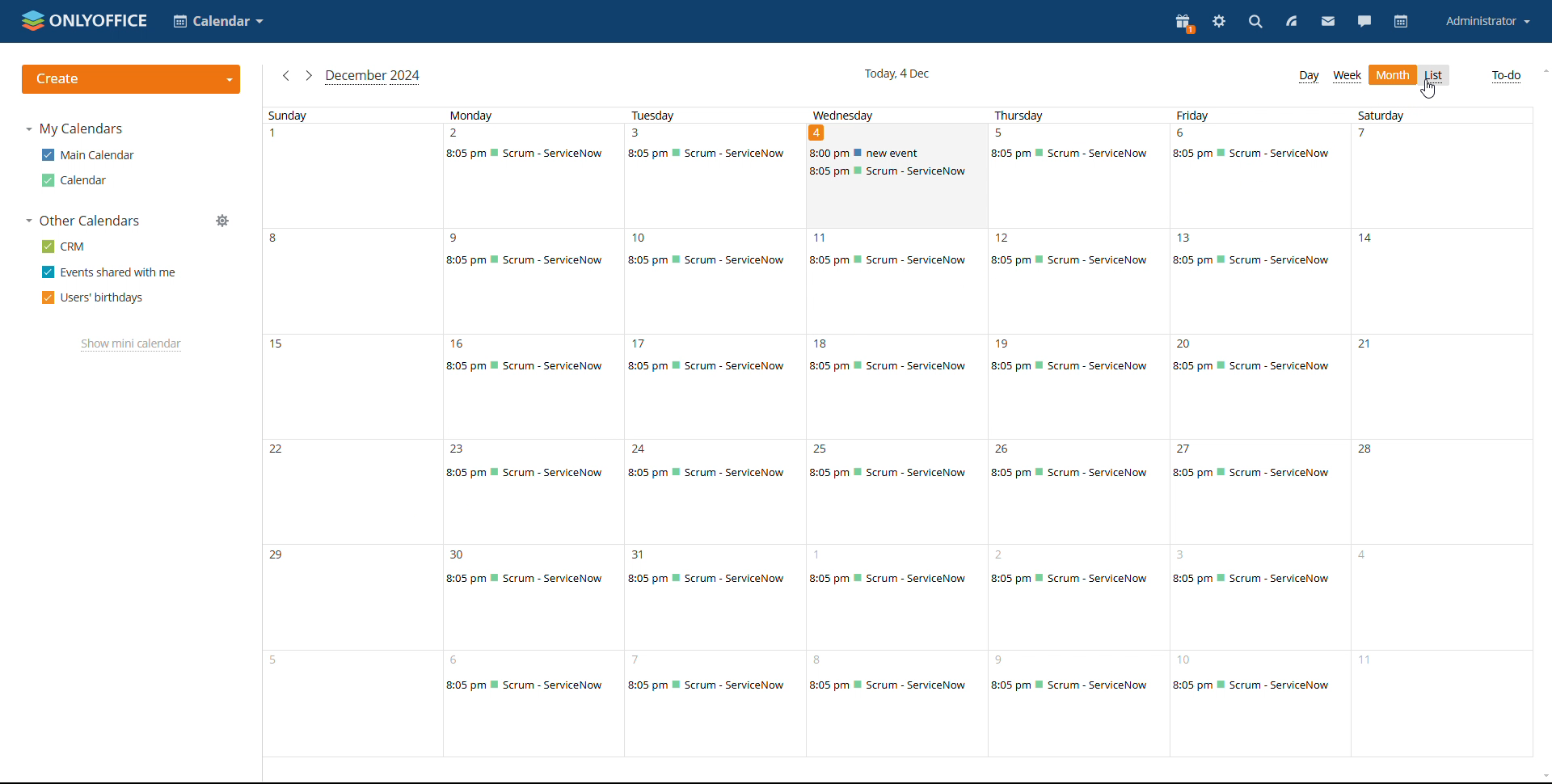 This screenshot has height=784, width=1552. What do you see at coordinates (1434, 114) in the screenshot?
I see `saturday` at bounding box center [1434, 114].